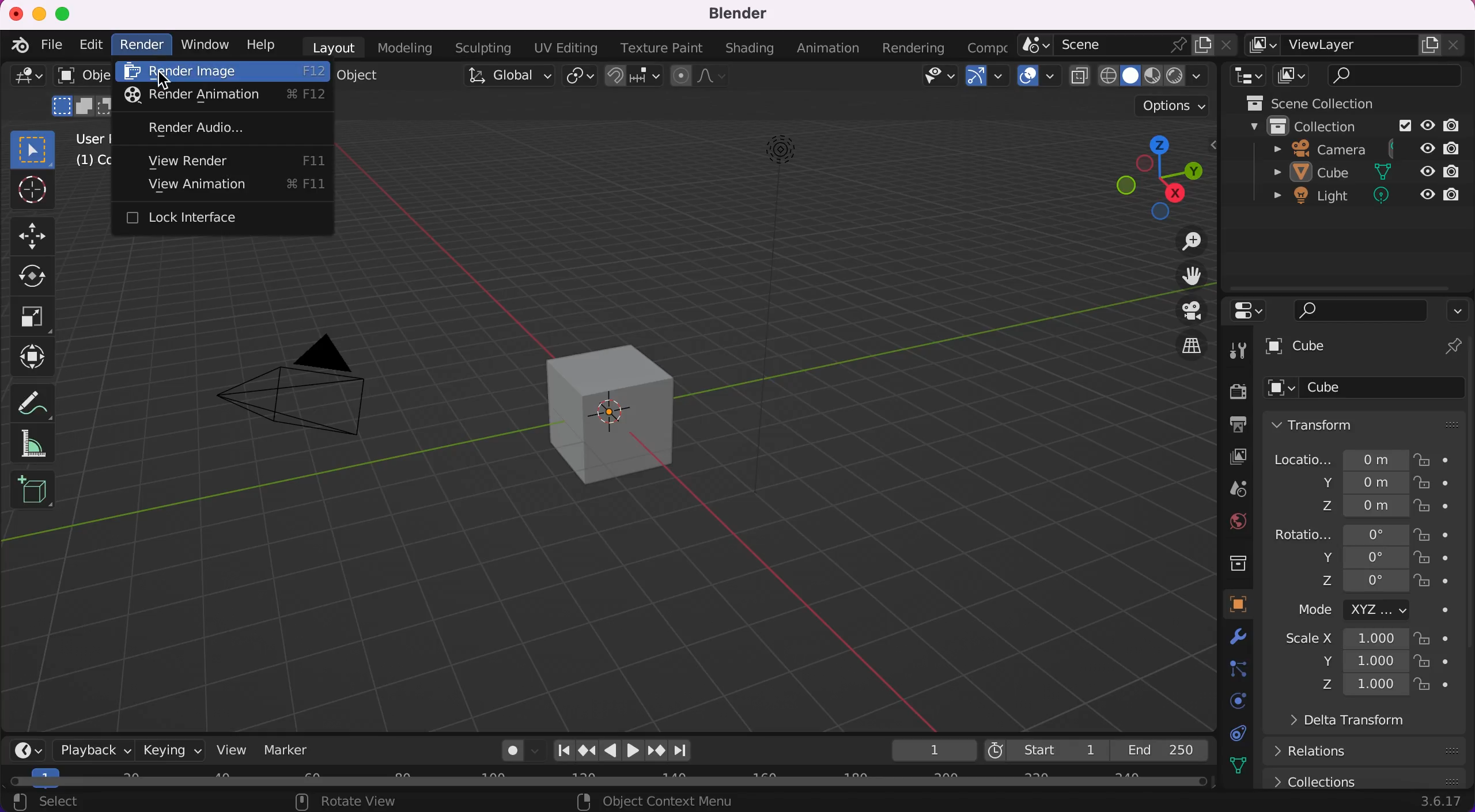  I want to click on rotate view, so click(356, 802).